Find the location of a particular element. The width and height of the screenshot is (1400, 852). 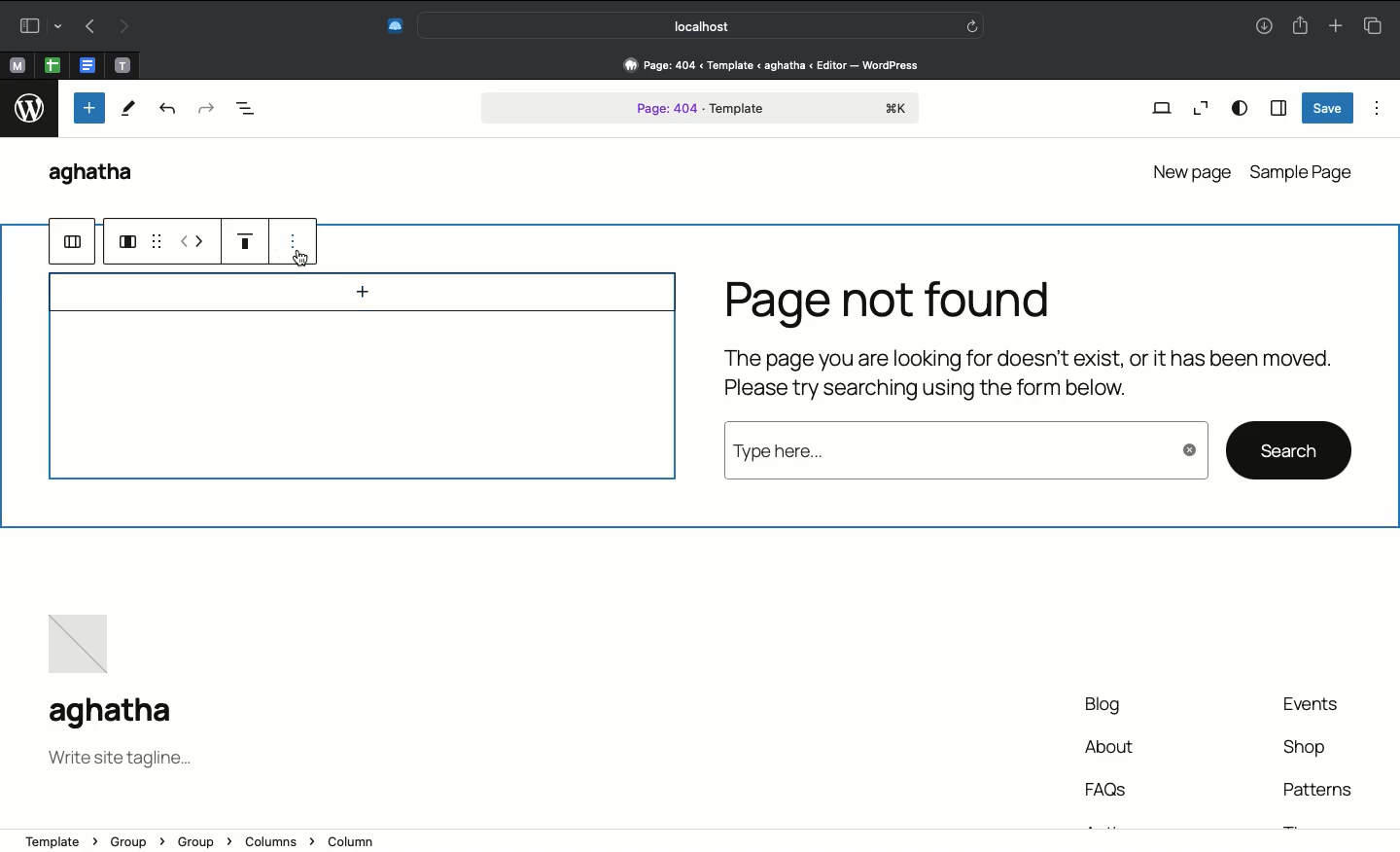

Undo is located at coordinates (90, 25).